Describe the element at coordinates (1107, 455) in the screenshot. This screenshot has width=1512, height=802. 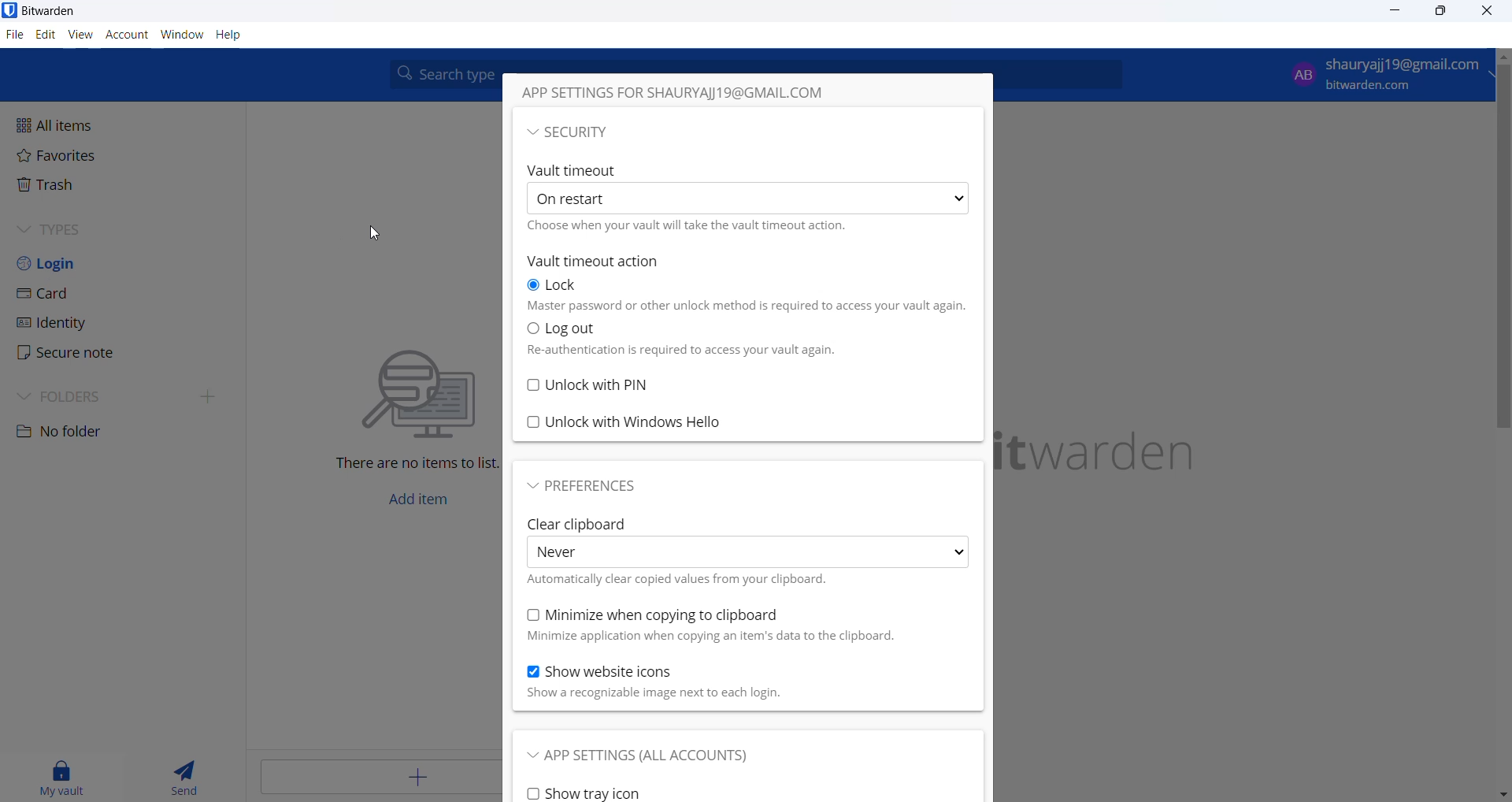
I see `itwarden` at that location.